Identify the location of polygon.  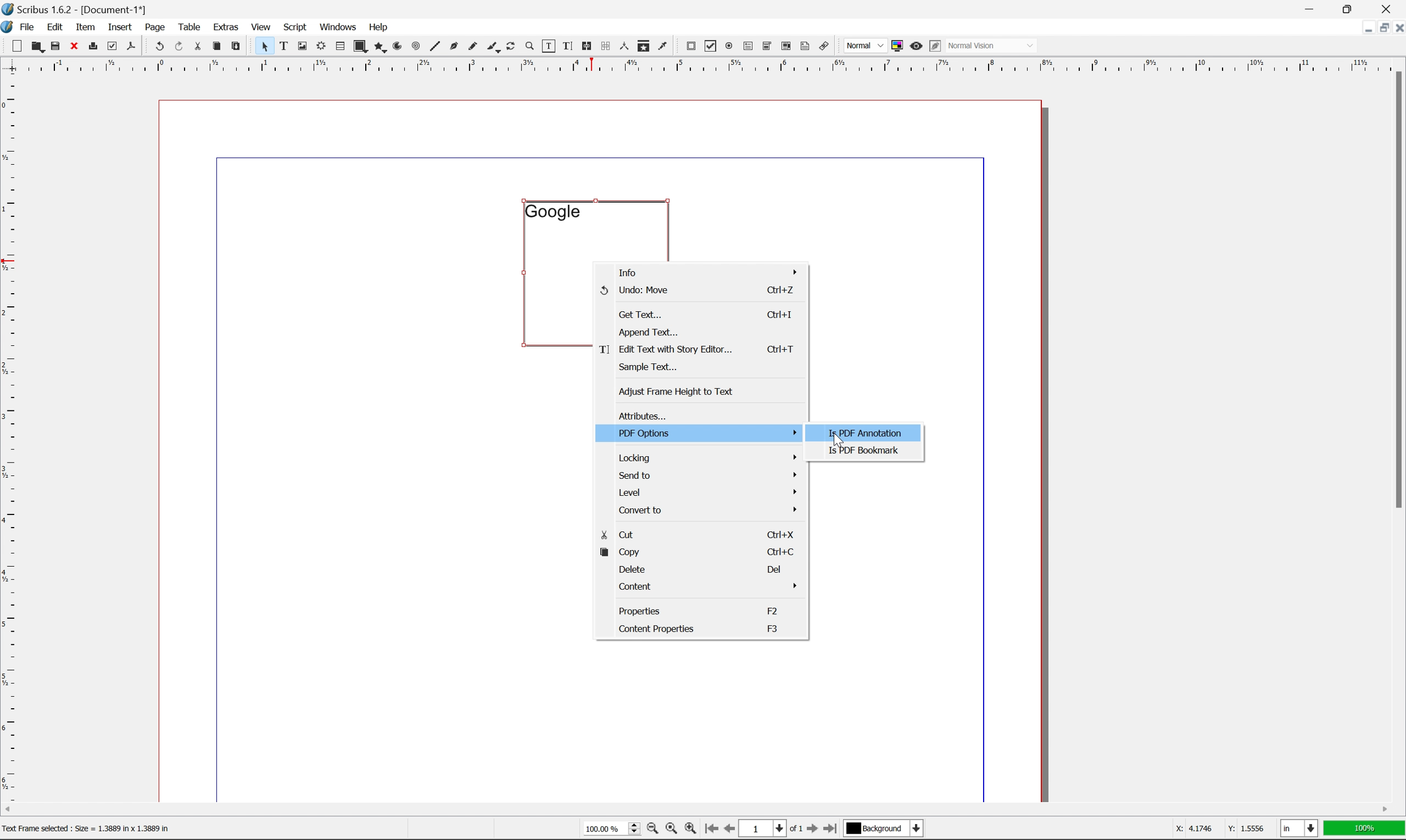
(381, 48).